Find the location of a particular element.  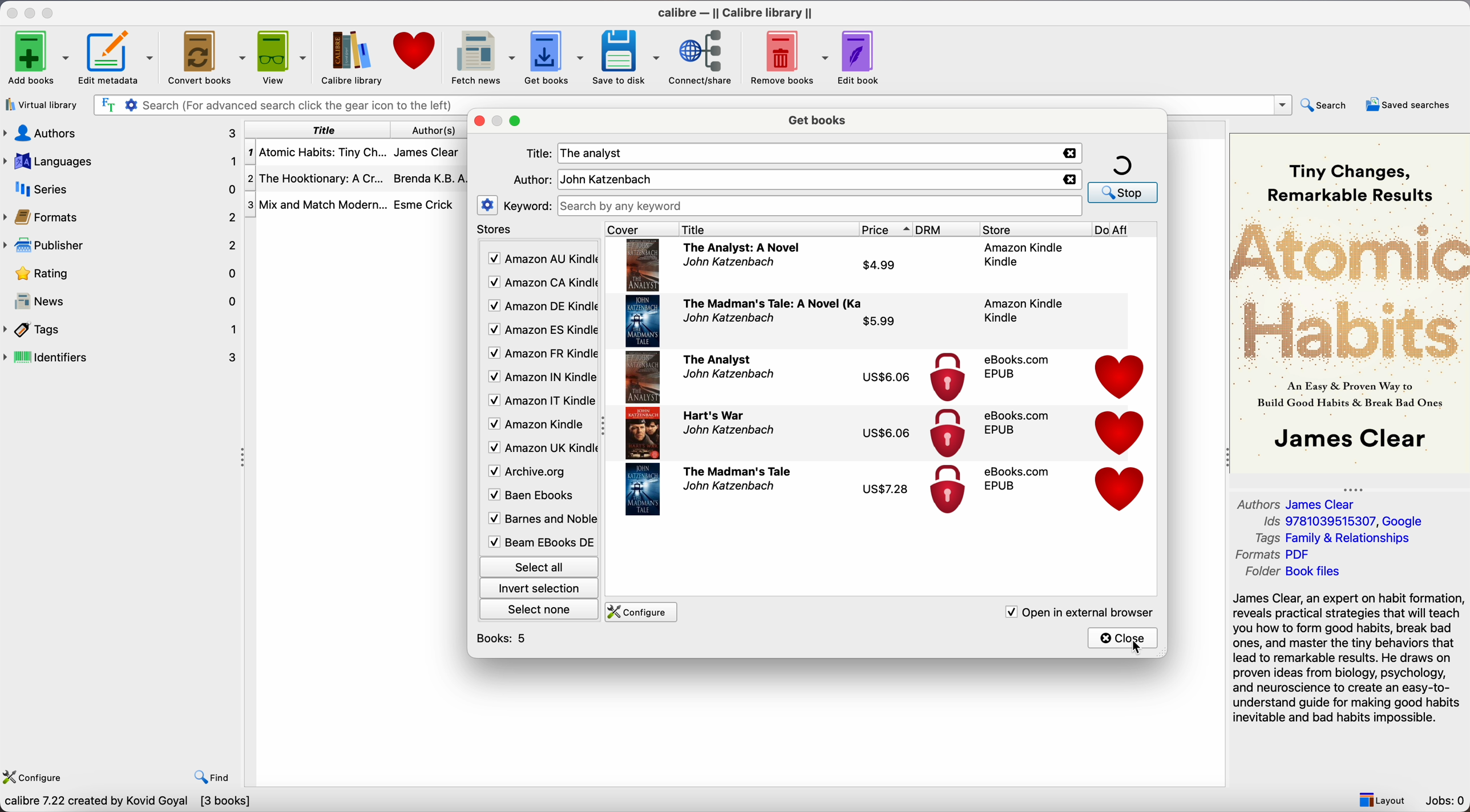

news is located at coordinates (123, 302).